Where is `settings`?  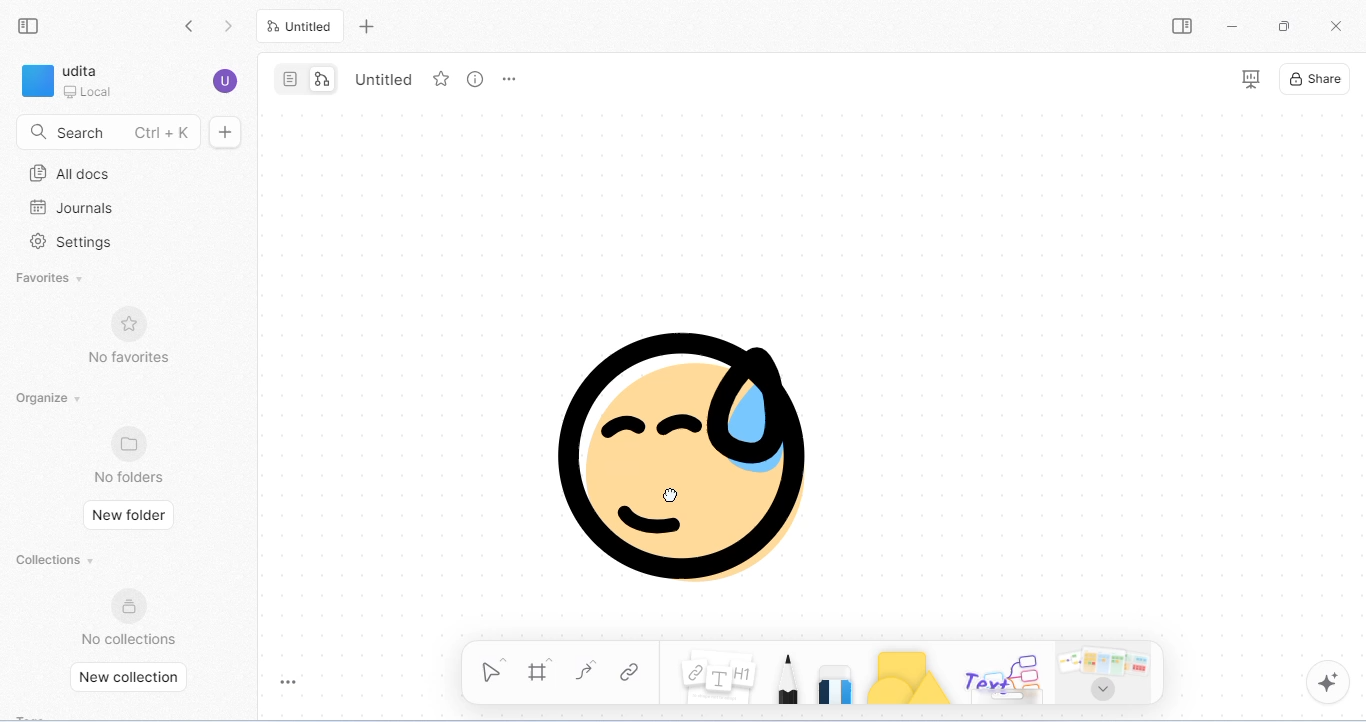
settings is located at coordinates (75, 243).